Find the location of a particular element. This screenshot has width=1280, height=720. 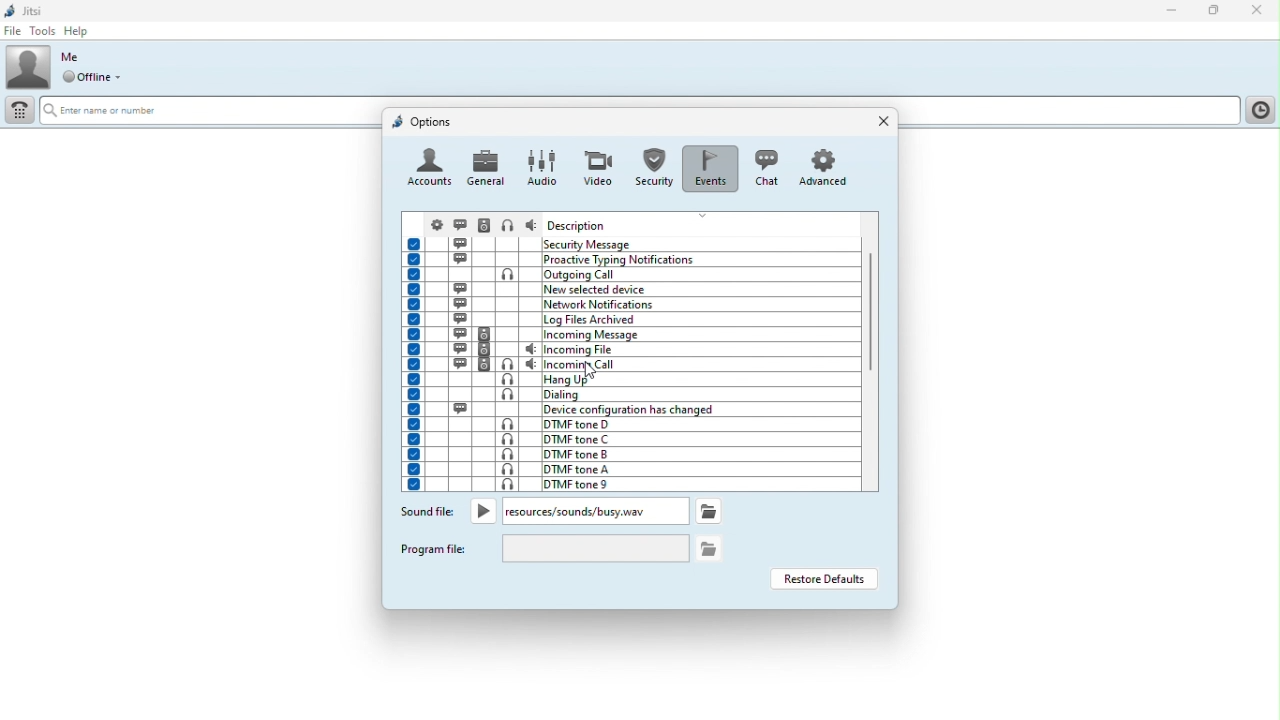

cursor is located at coordinates (591, 370).